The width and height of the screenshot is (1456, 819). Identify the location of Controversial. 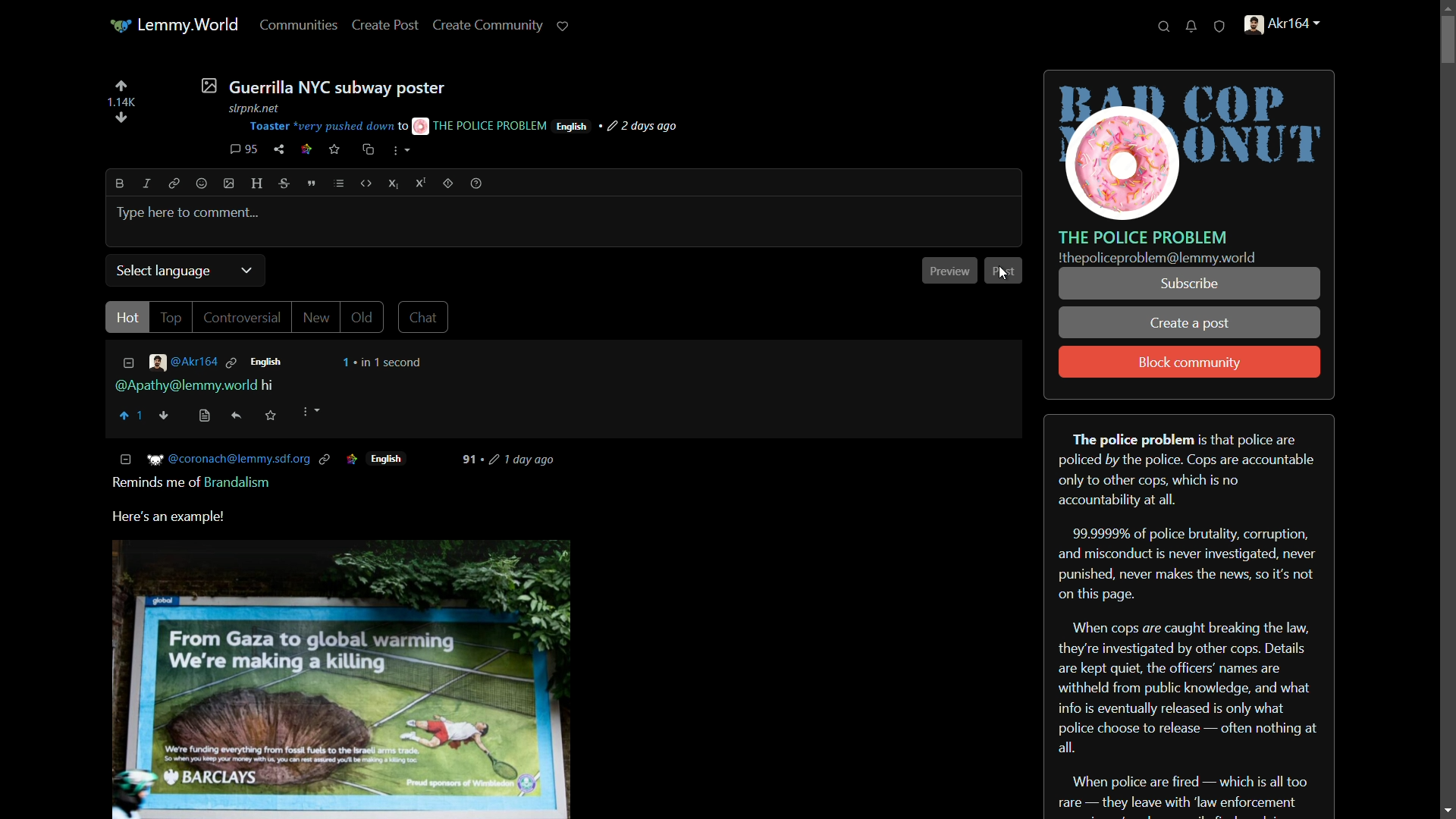
(243, 318).